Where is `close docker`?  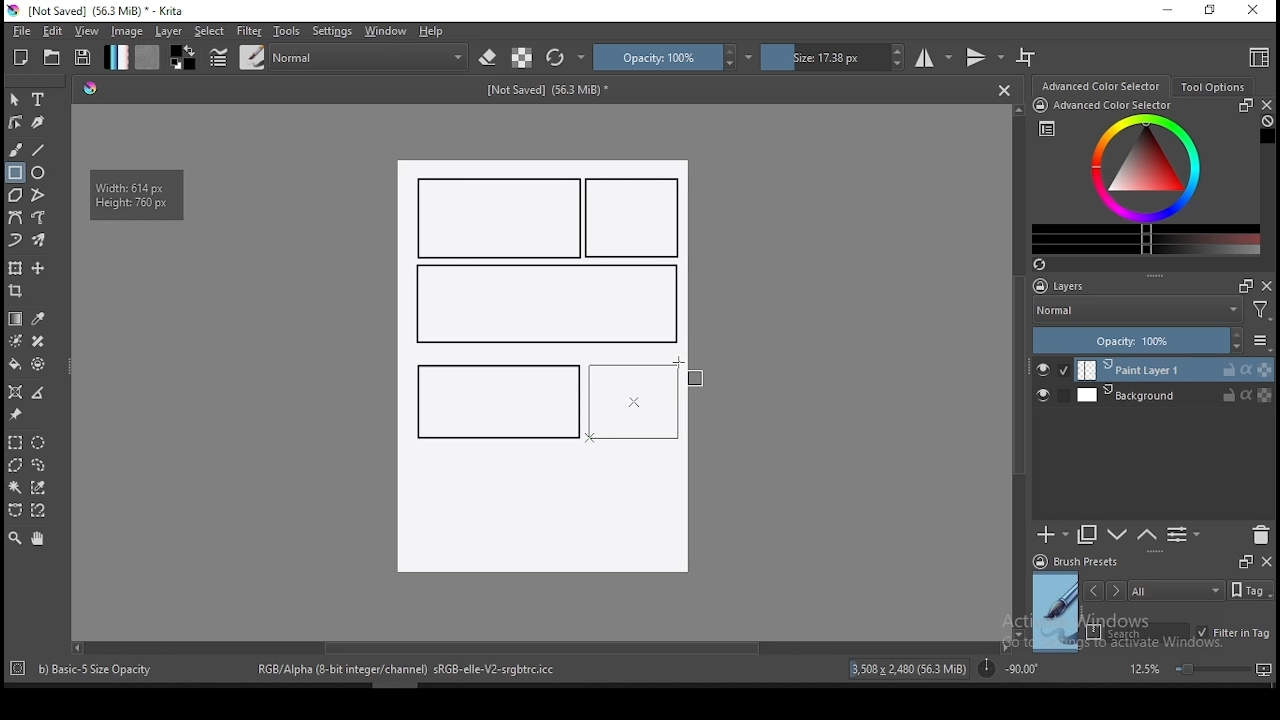
close docker is located at coordinates (1266, 105).